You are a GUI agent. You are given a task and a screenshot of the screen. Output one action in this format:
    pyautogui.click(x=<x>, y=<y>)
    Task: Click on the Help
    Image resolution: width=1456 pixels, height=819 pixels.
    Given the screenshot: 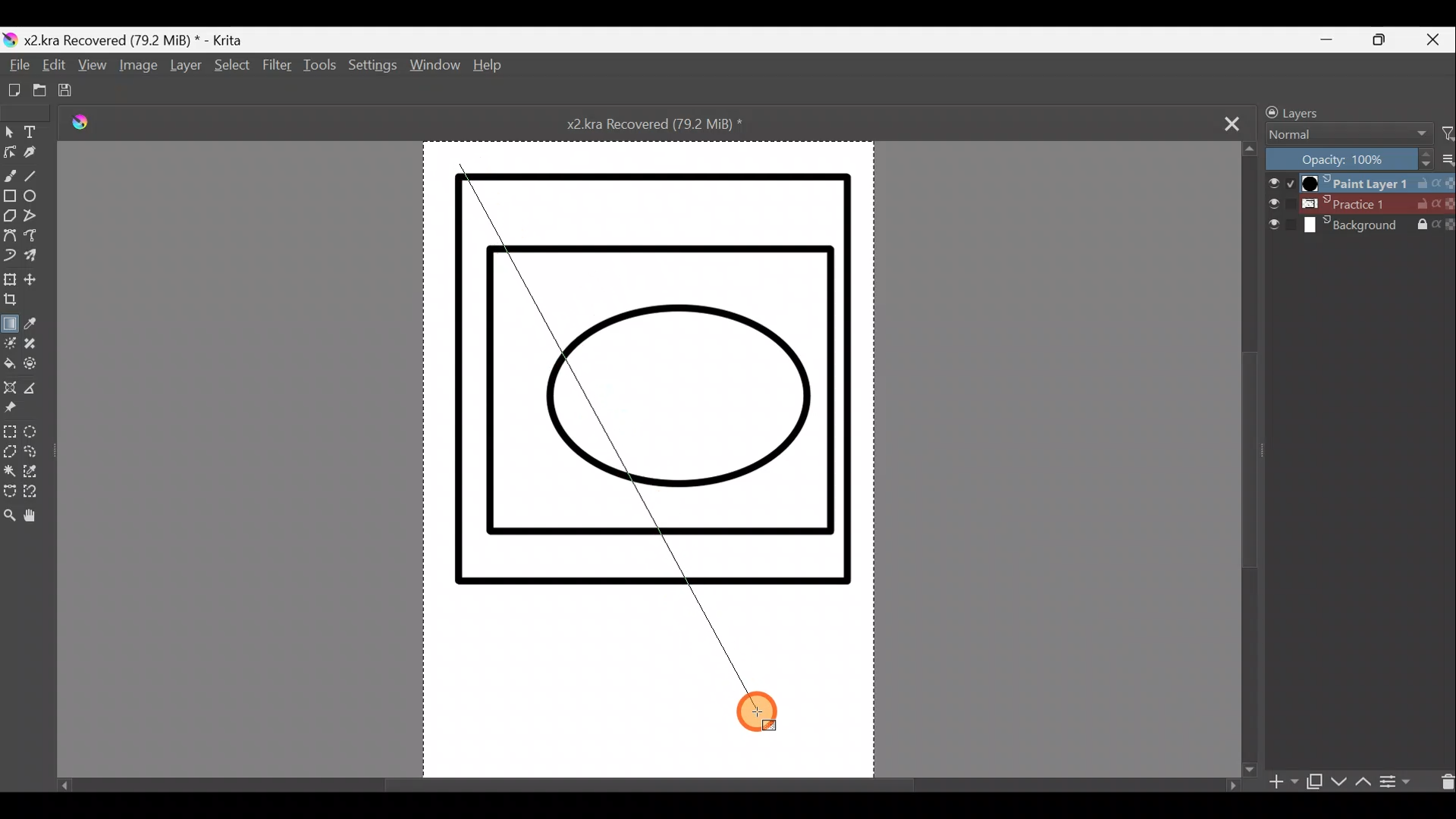 What is the action you would take?
    pyautogui.click(x=488, y=67)
    